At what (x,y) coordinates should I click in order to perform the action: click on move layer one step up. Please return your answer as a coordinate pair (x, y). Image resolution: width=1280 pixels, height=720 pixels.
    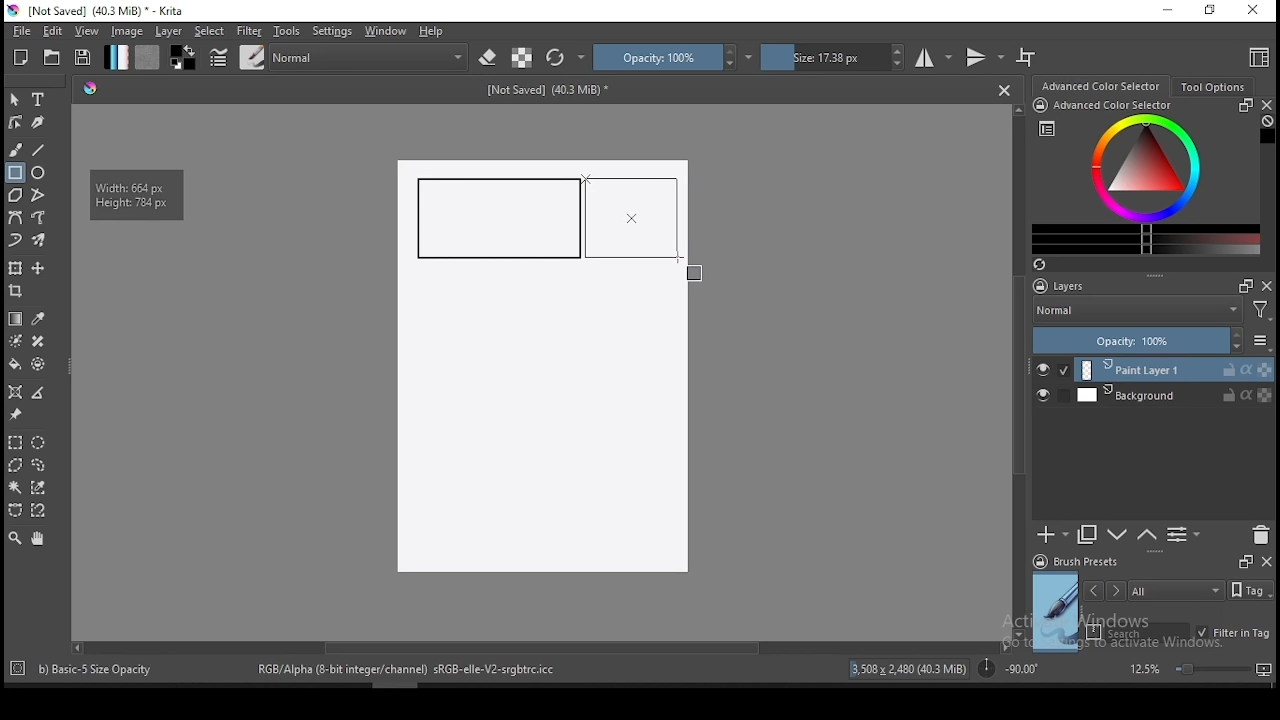
    Looking at the image, I should click on (1118, 537).